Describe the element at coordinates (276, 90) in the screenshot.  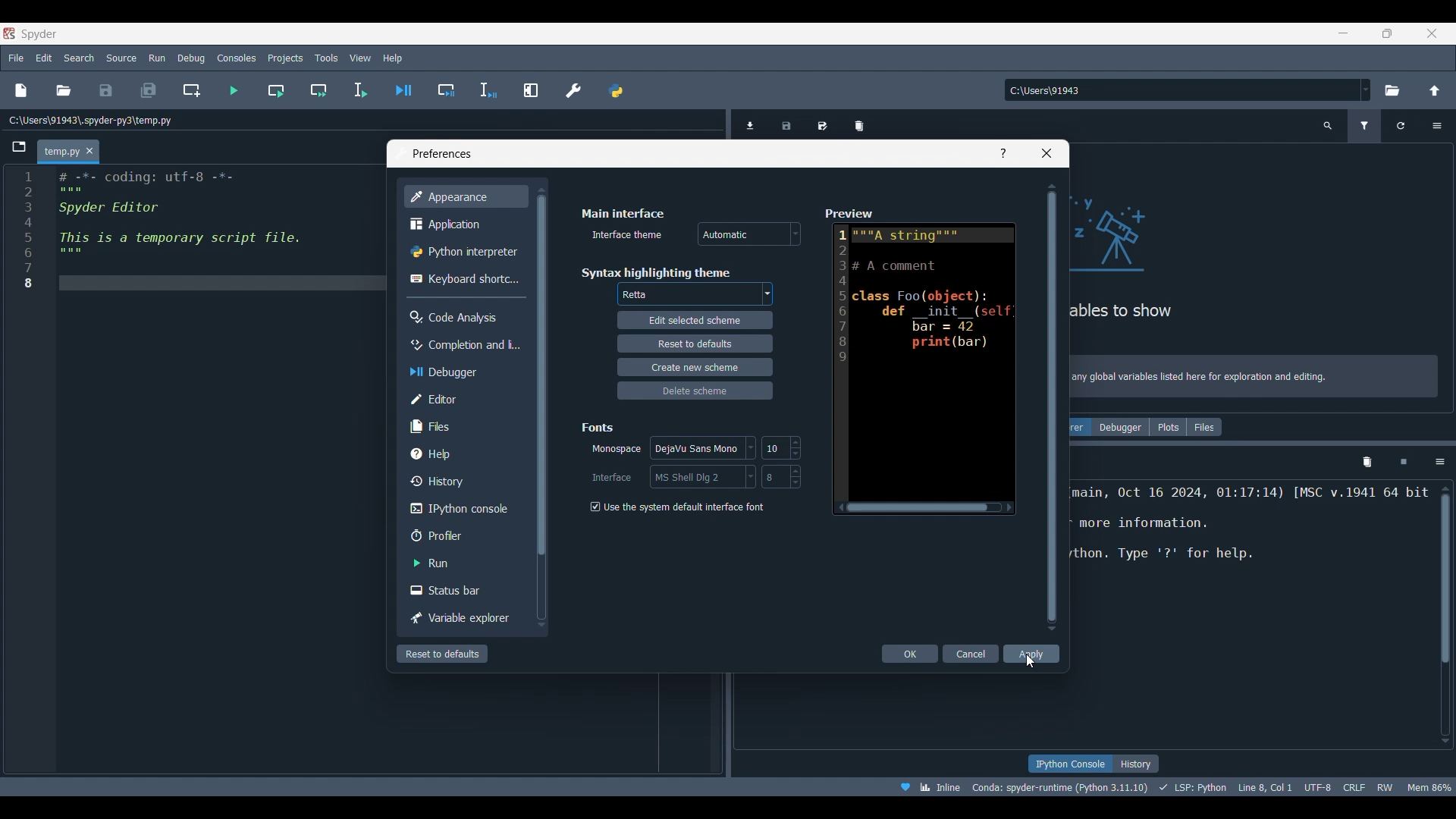
I see `Run current cell` at that location.